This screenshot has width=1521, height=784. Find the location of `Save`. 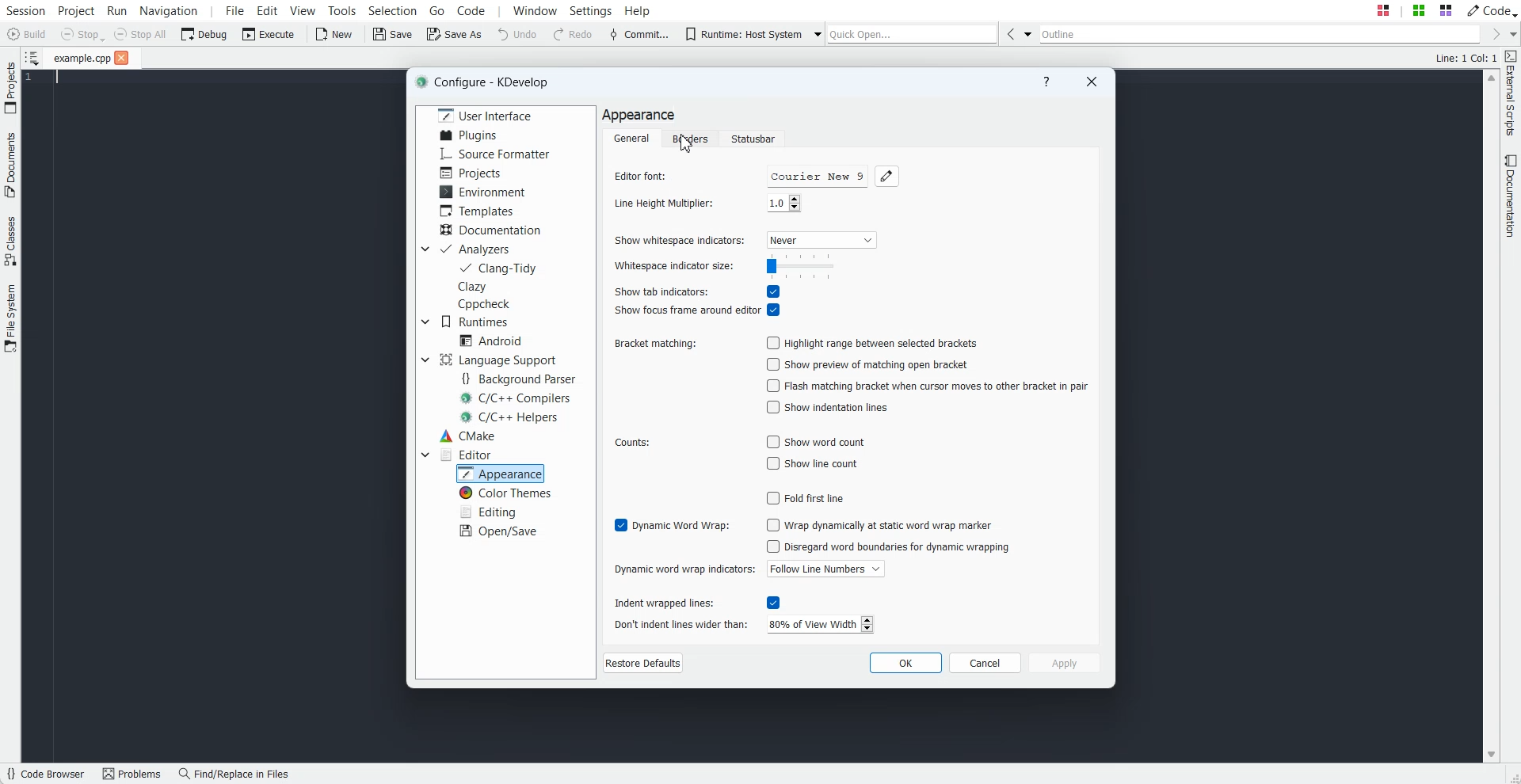

Save is located at coordinates (391, 33).